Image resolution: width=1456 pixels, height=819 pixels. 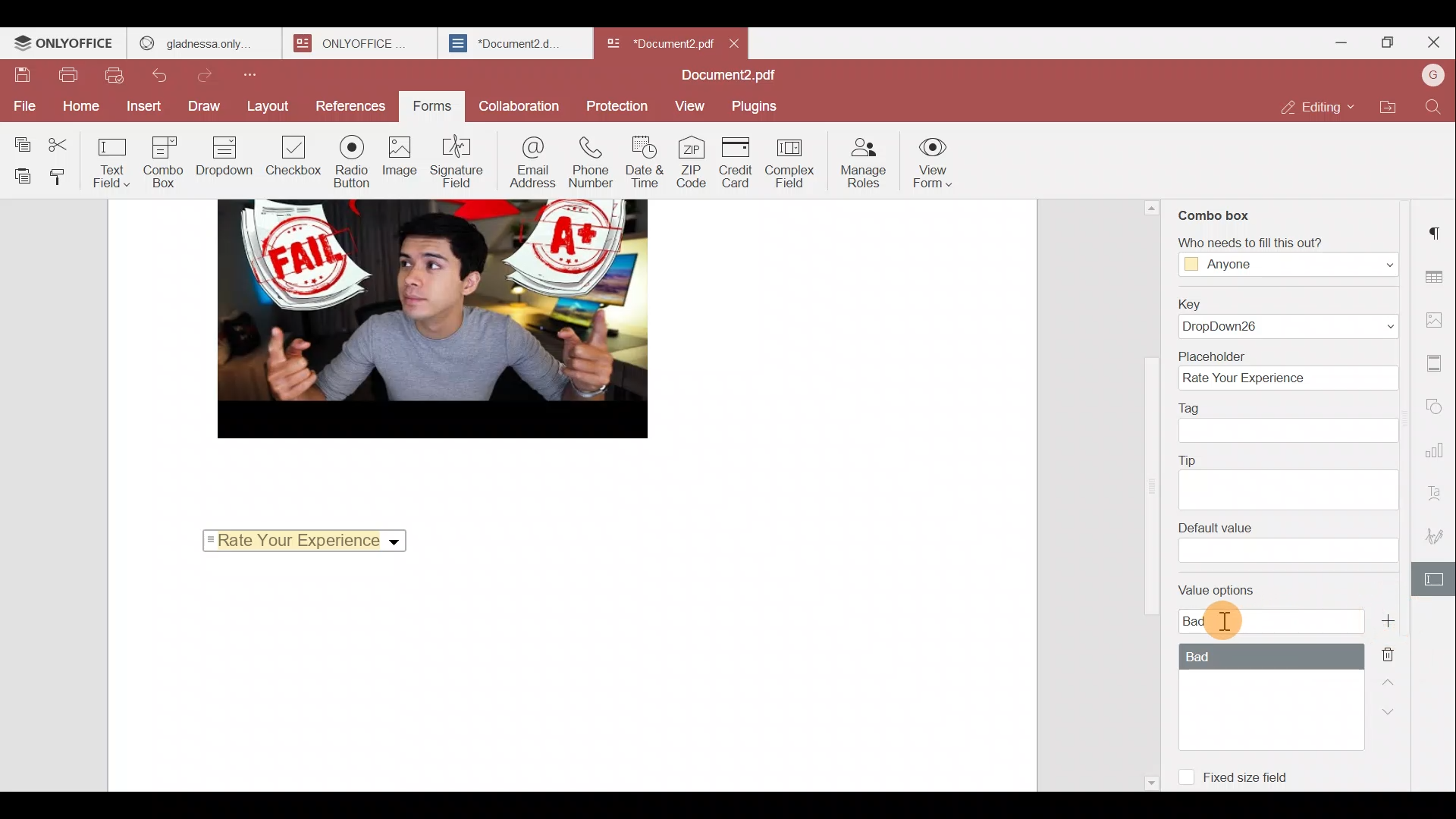 I want to click on Value options, so click(x=1251, y=657).